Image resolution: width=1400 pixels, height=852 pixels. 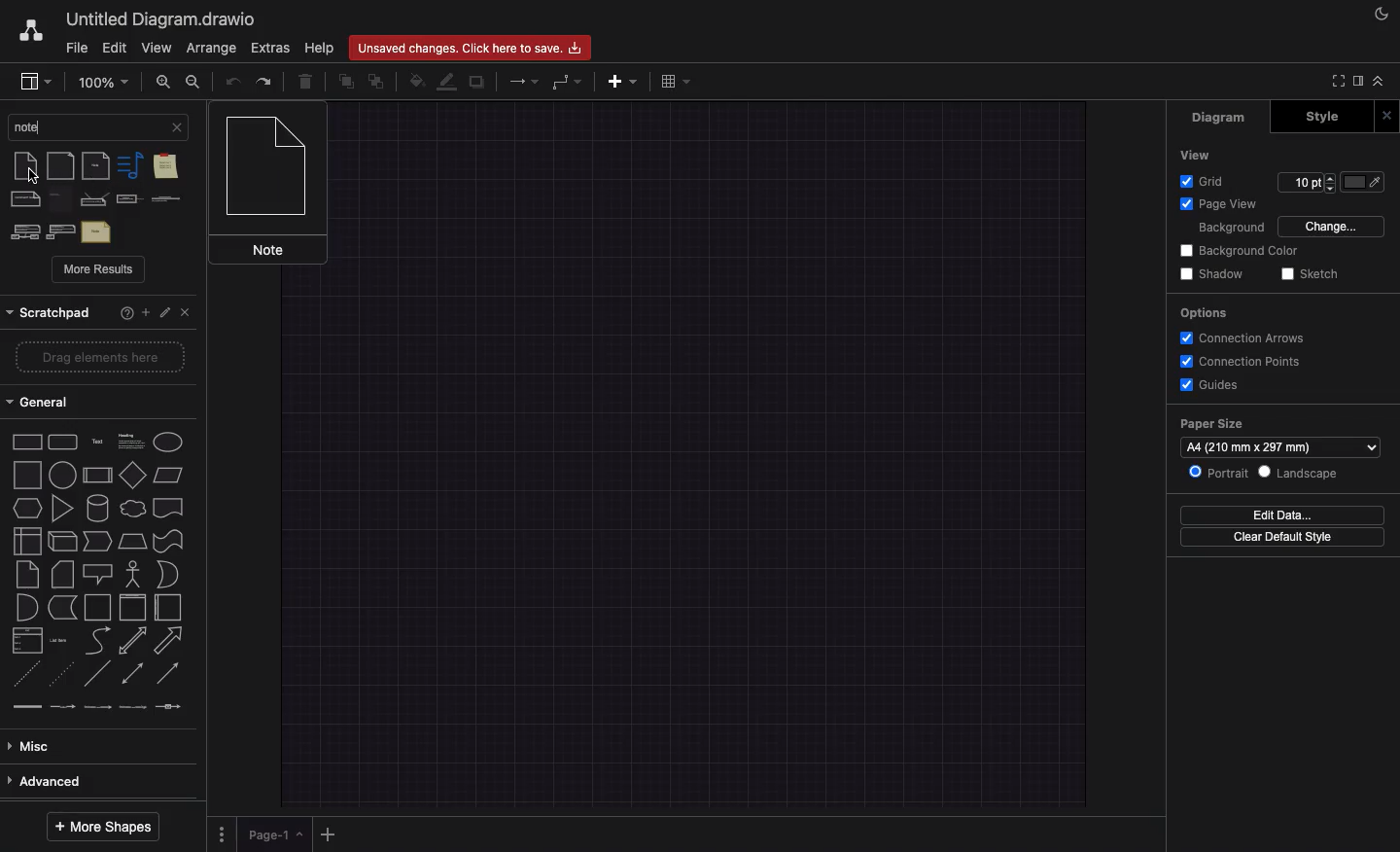 I want to click on edit grid pt, so click(x=1300, y=183).